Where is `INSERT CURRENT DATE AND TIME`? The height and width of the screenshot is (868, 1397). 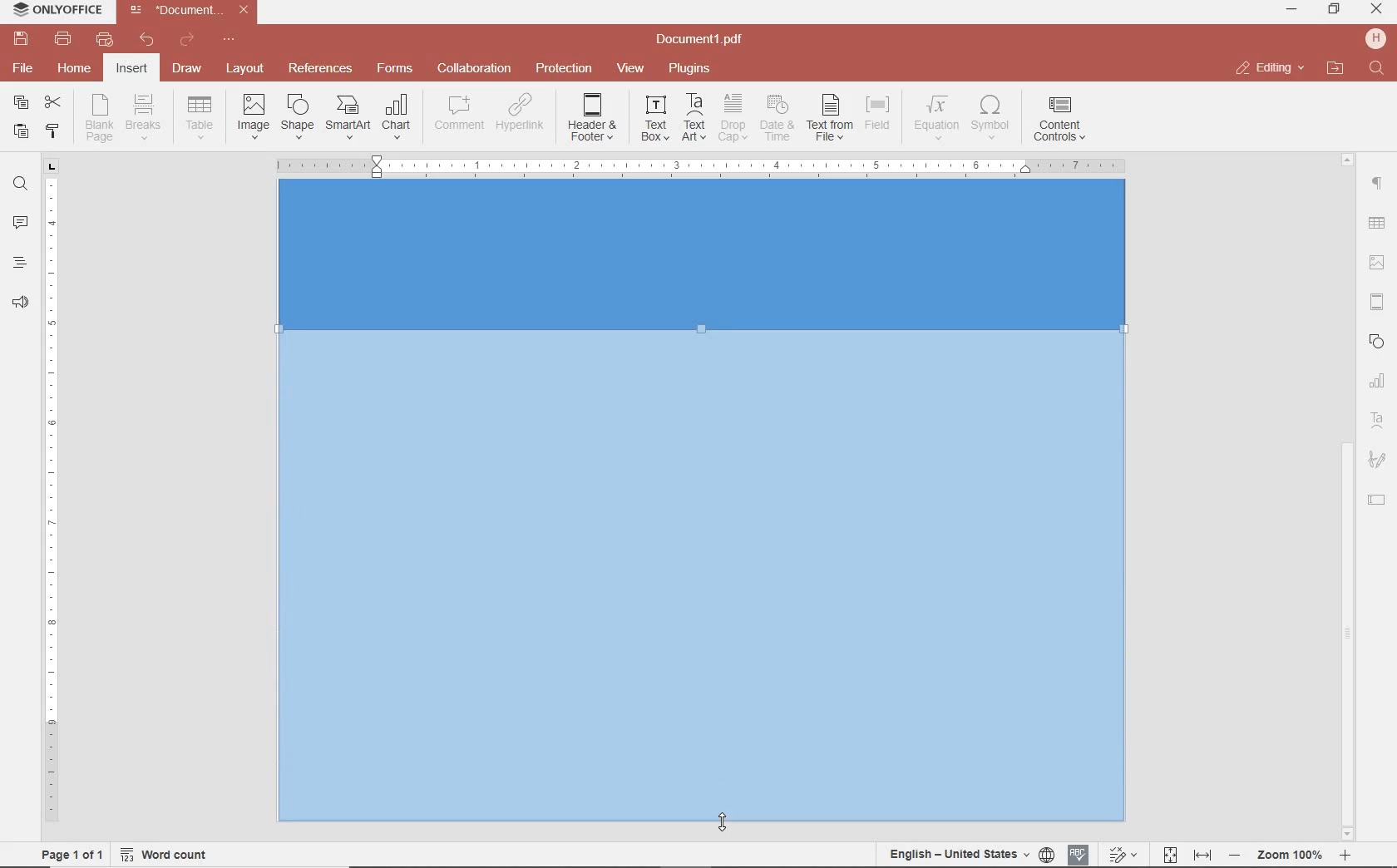 INSERT CURRENT DATE AND TIME is located at coordinates (775, 119).